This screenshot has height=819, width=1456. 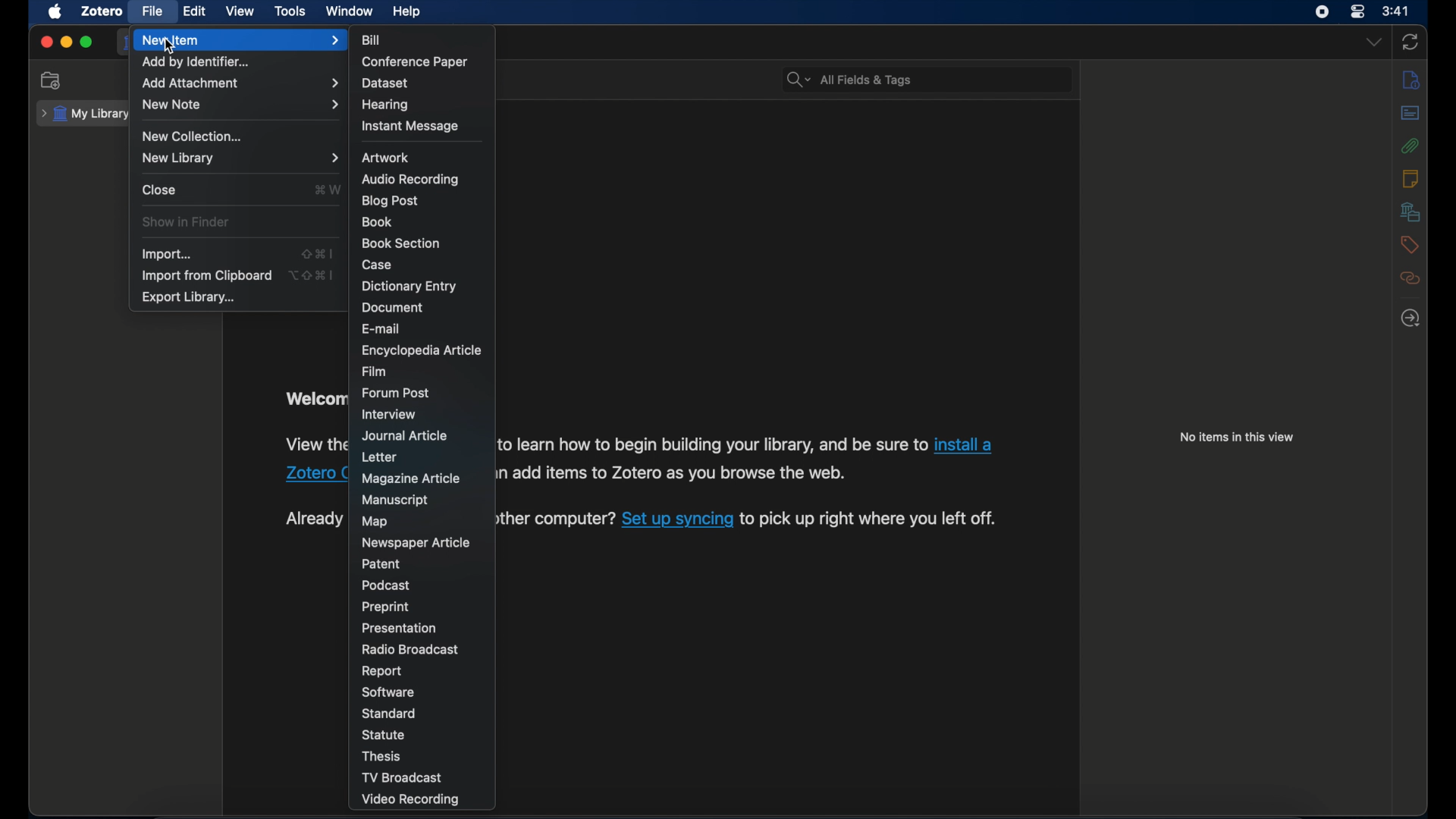 What do you see at coordinates (377, 265) in the screenshot?
I see `case` at bounding box center [377, 265].